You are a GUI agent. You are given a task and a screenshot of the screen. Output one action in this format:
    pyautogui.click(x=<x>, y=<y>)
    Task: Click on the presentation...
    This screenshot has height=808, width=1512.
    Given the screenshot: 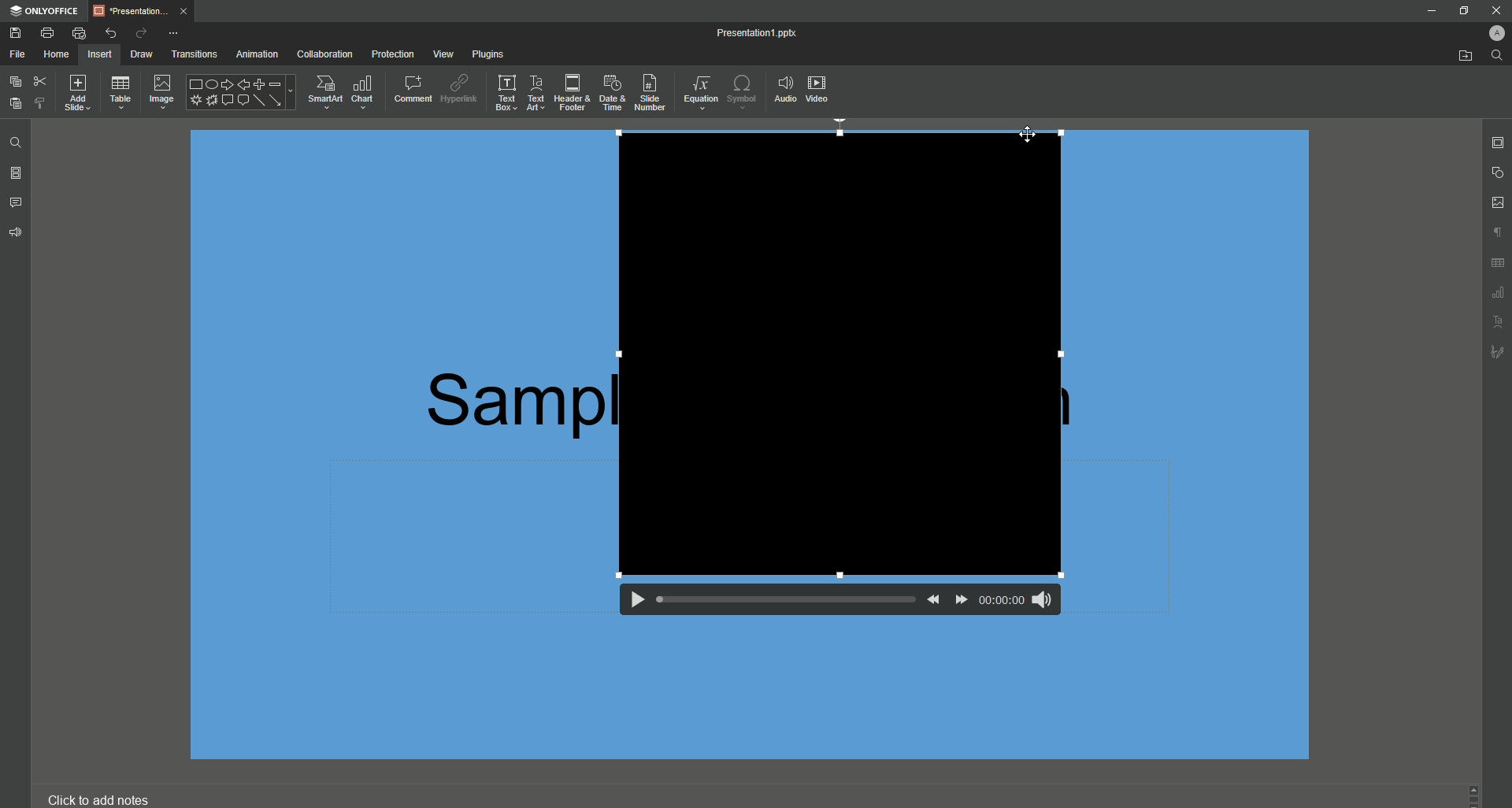 What is the action you would take?
    pyautogui.click(x=146, y=9)
    